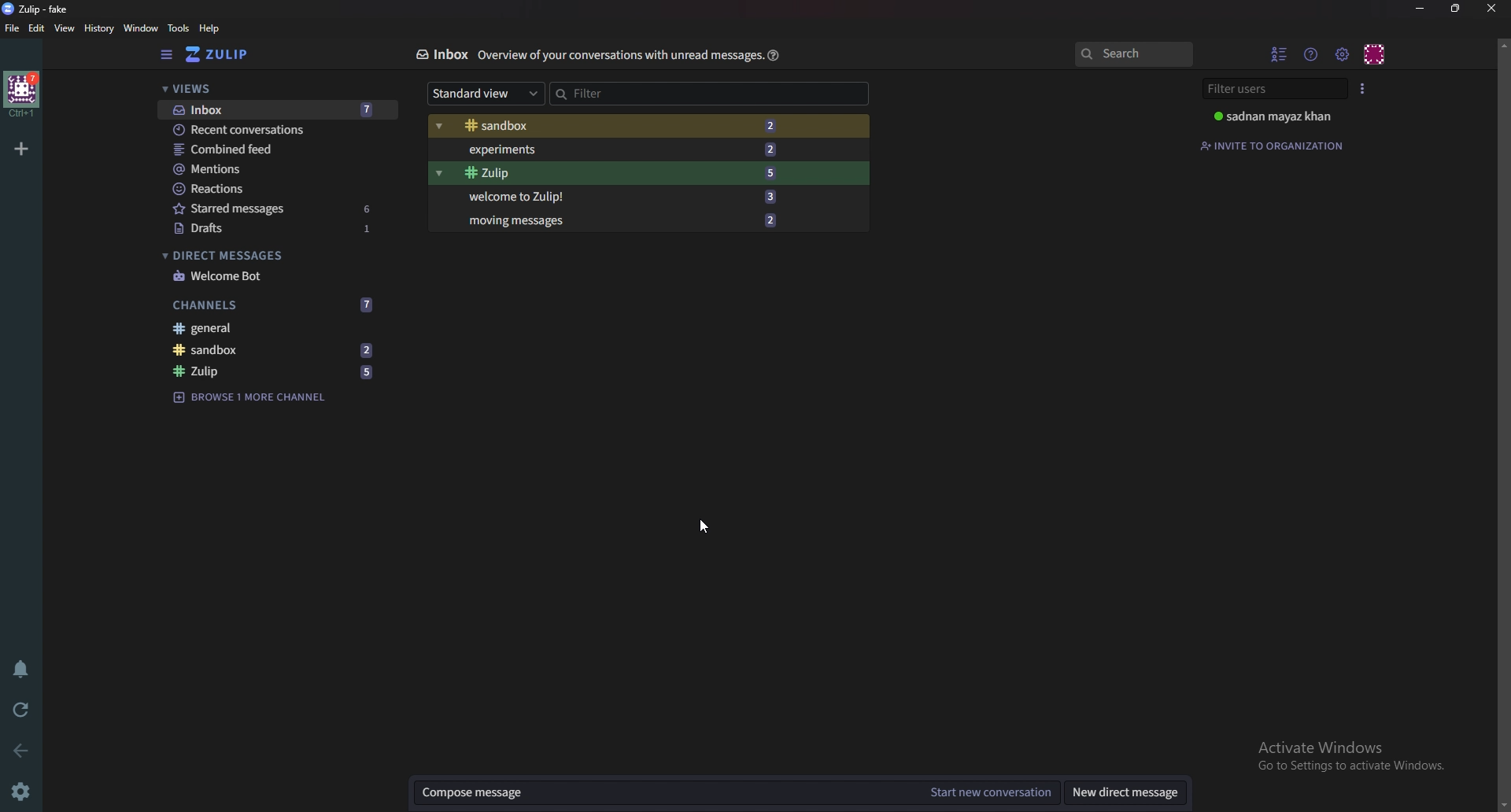 This screenshot has height=812, width=1511. I want to click on user, so click(1274, 118).